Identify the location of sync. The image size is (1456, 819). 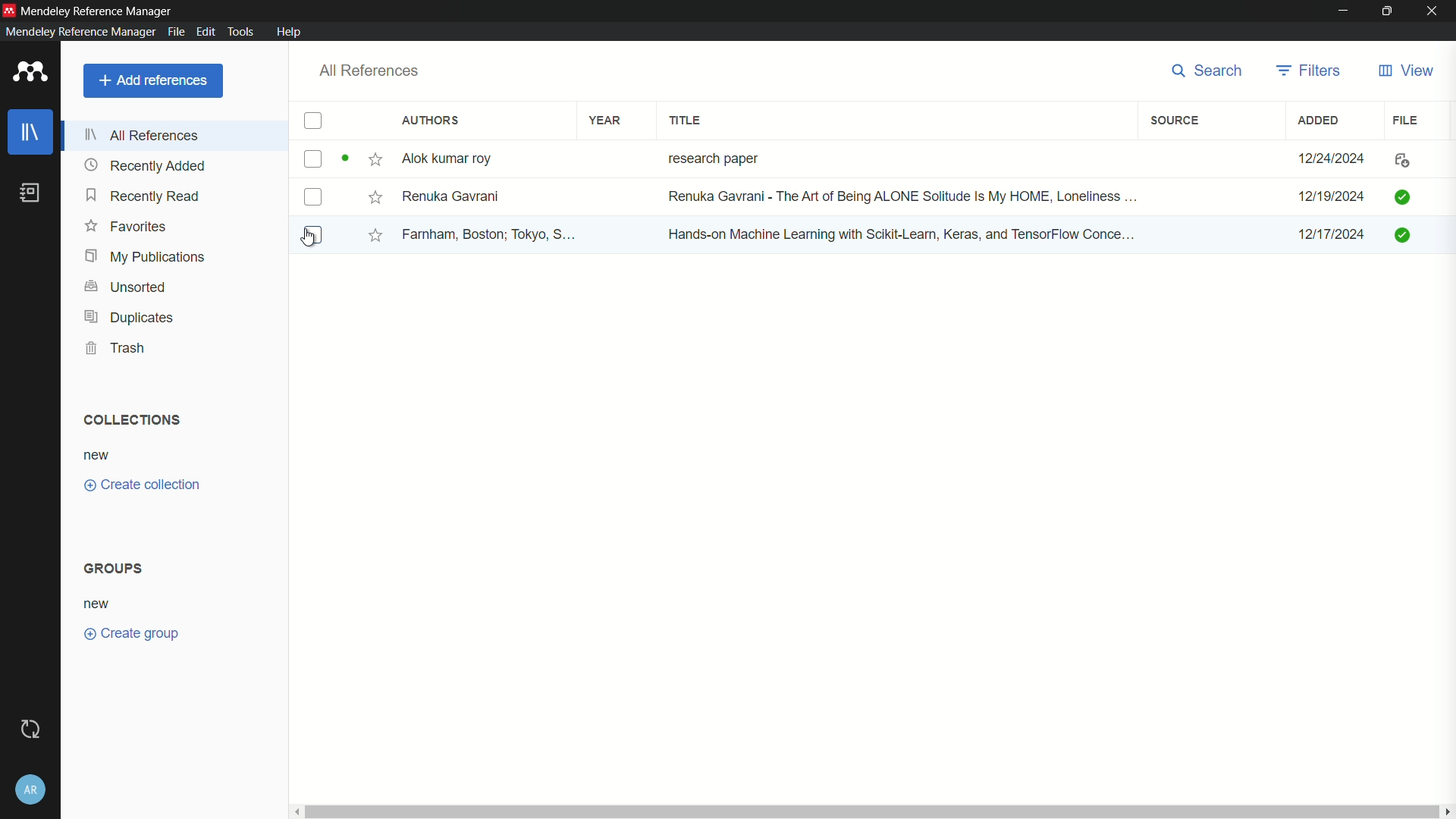
(31, 730).